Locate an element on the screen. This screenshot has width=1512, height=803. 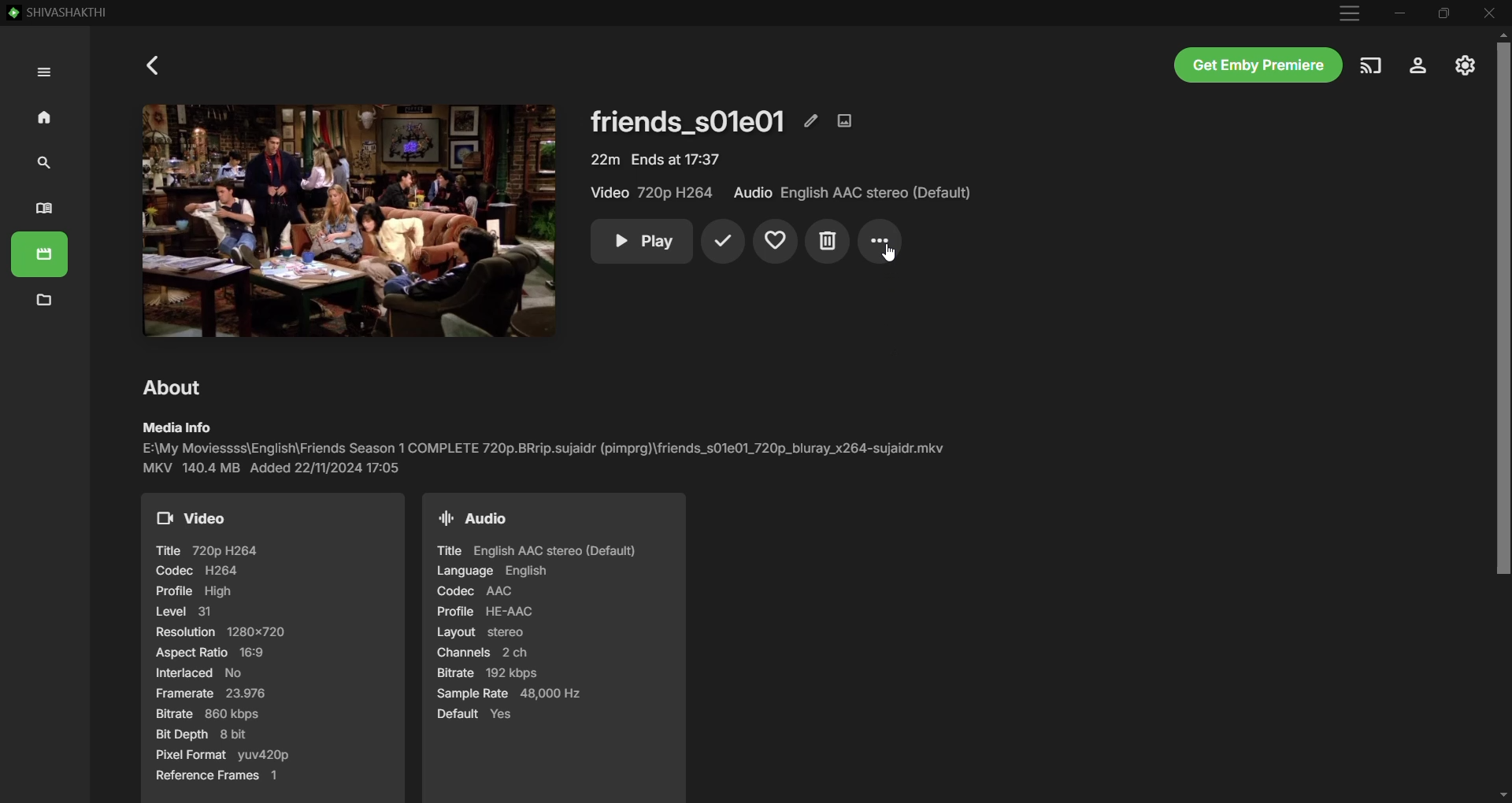
Get Emby Premiere is located at coordinates (1258, 65).